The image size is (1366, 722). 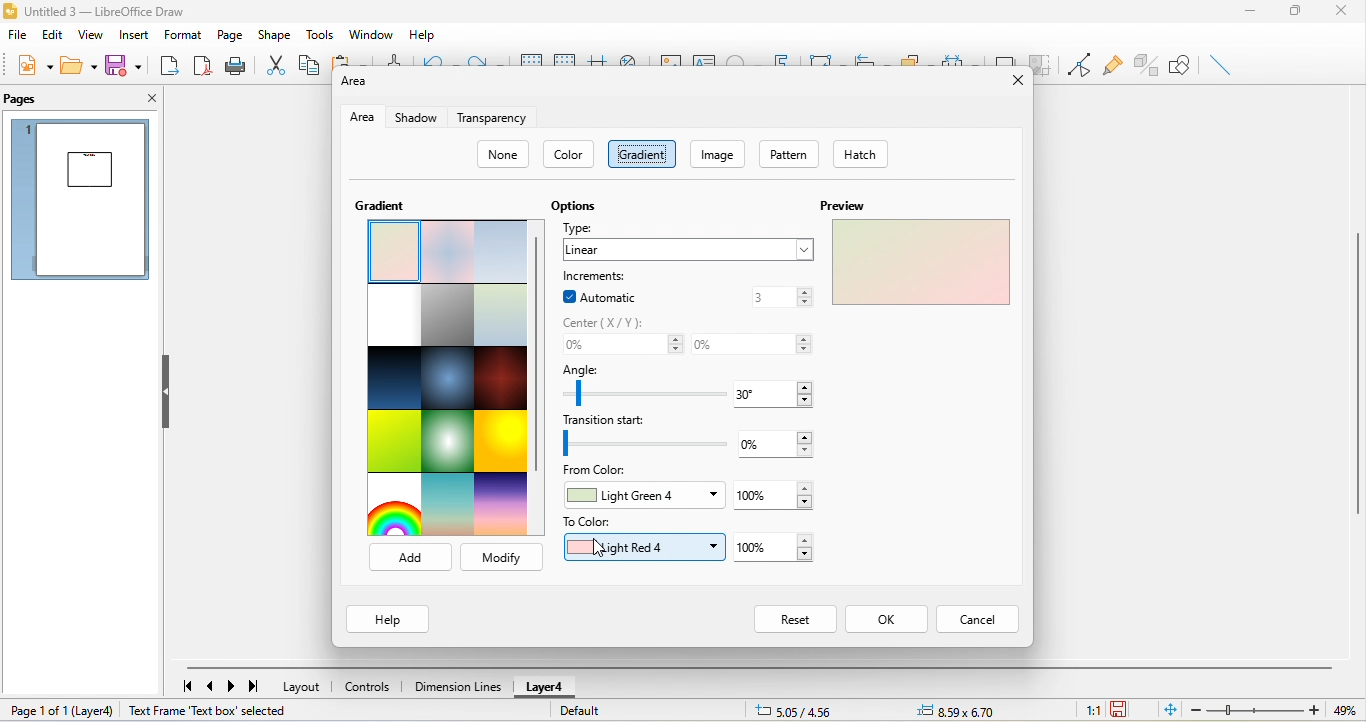 I want to click on reset, so click(x=794, y=618).